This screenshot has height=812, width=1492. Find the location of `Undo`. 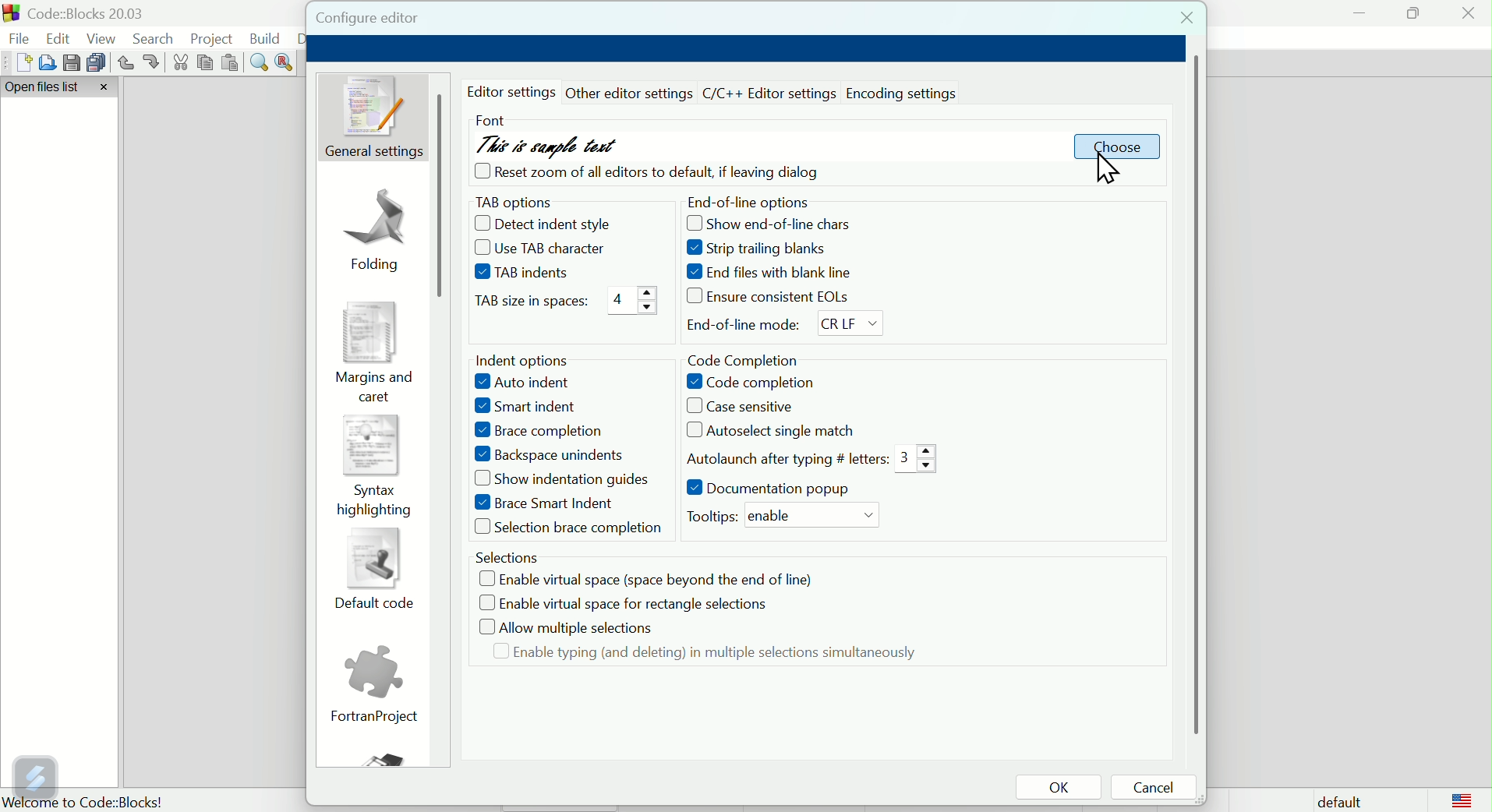

Undo is located at coordinates (125, 63).